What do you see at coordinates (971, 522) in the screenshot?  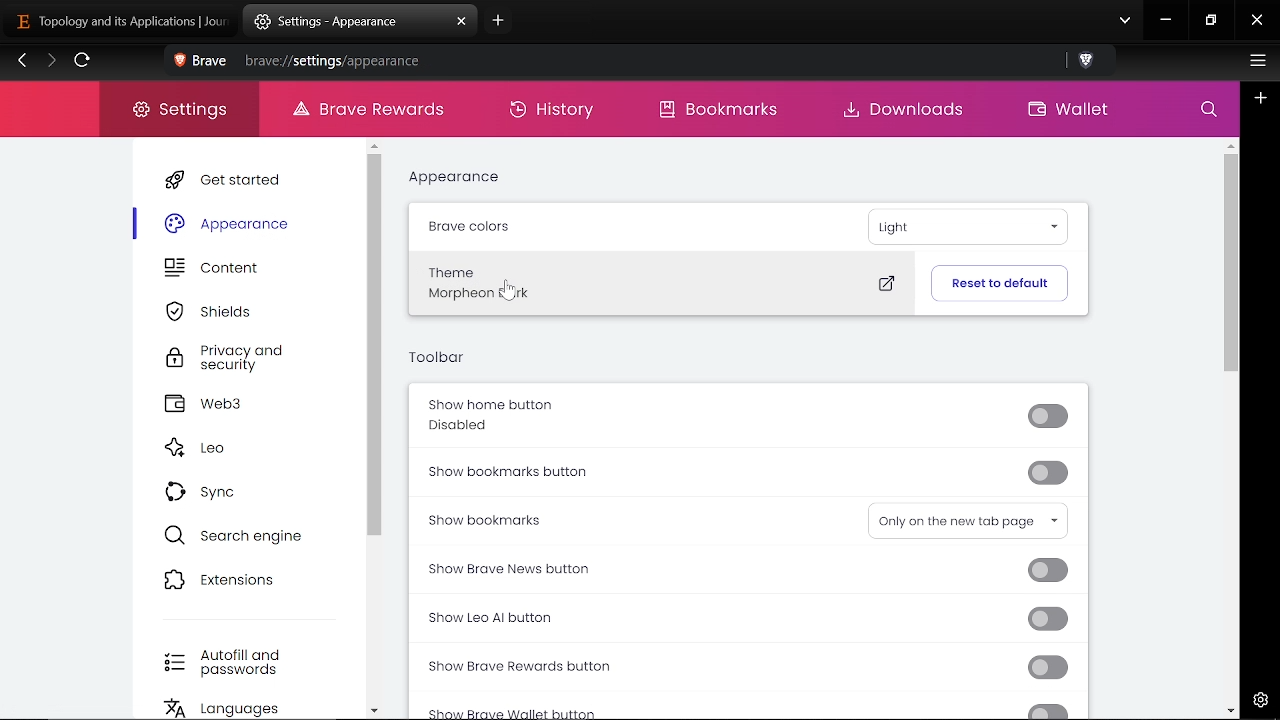 I see `OPtions for show bookmark` at bounding box center [971, 522].